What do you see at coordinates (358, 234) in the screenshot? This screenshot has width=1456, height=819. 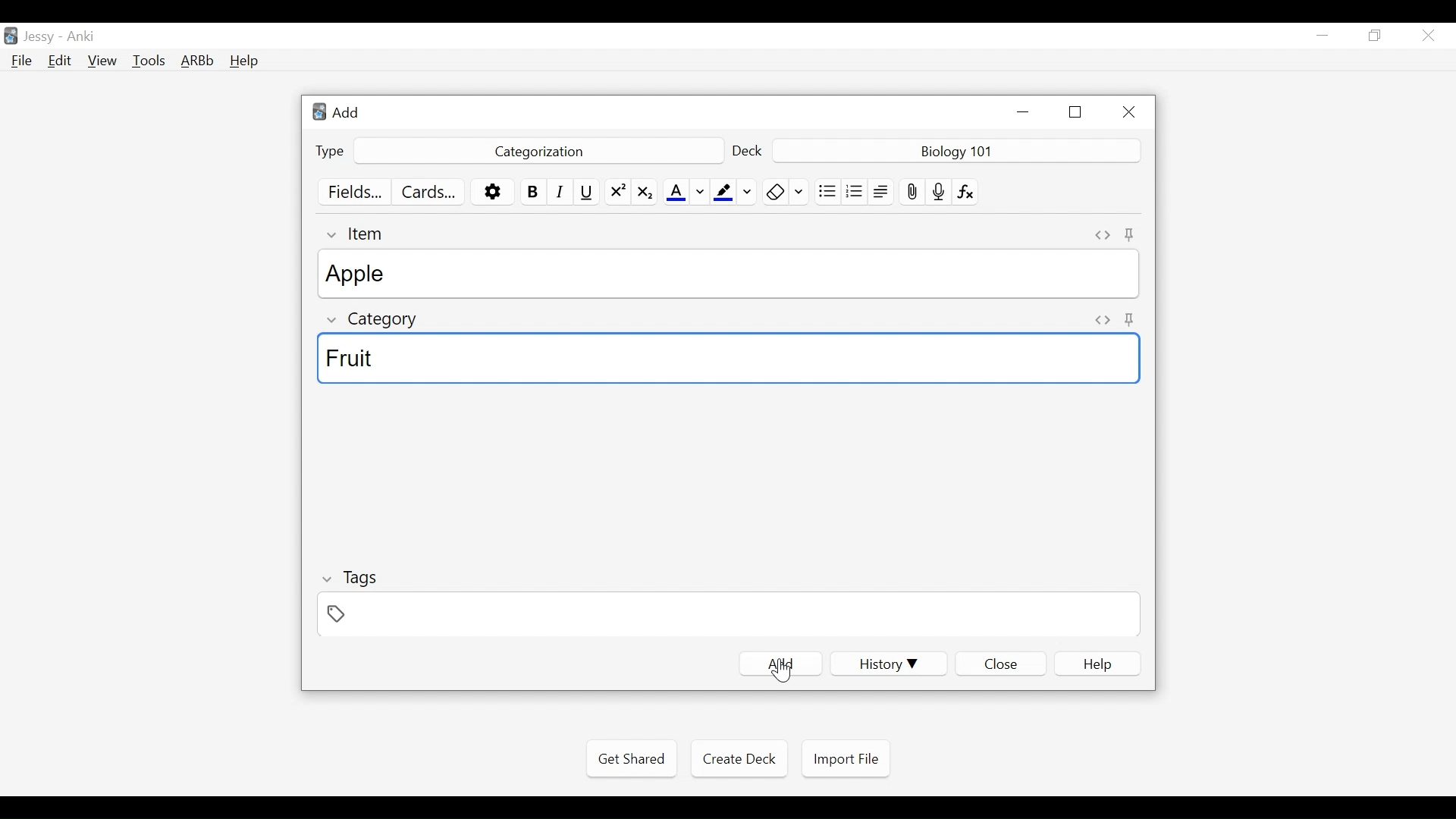 I see `Item` at bounding box center [358, 234].